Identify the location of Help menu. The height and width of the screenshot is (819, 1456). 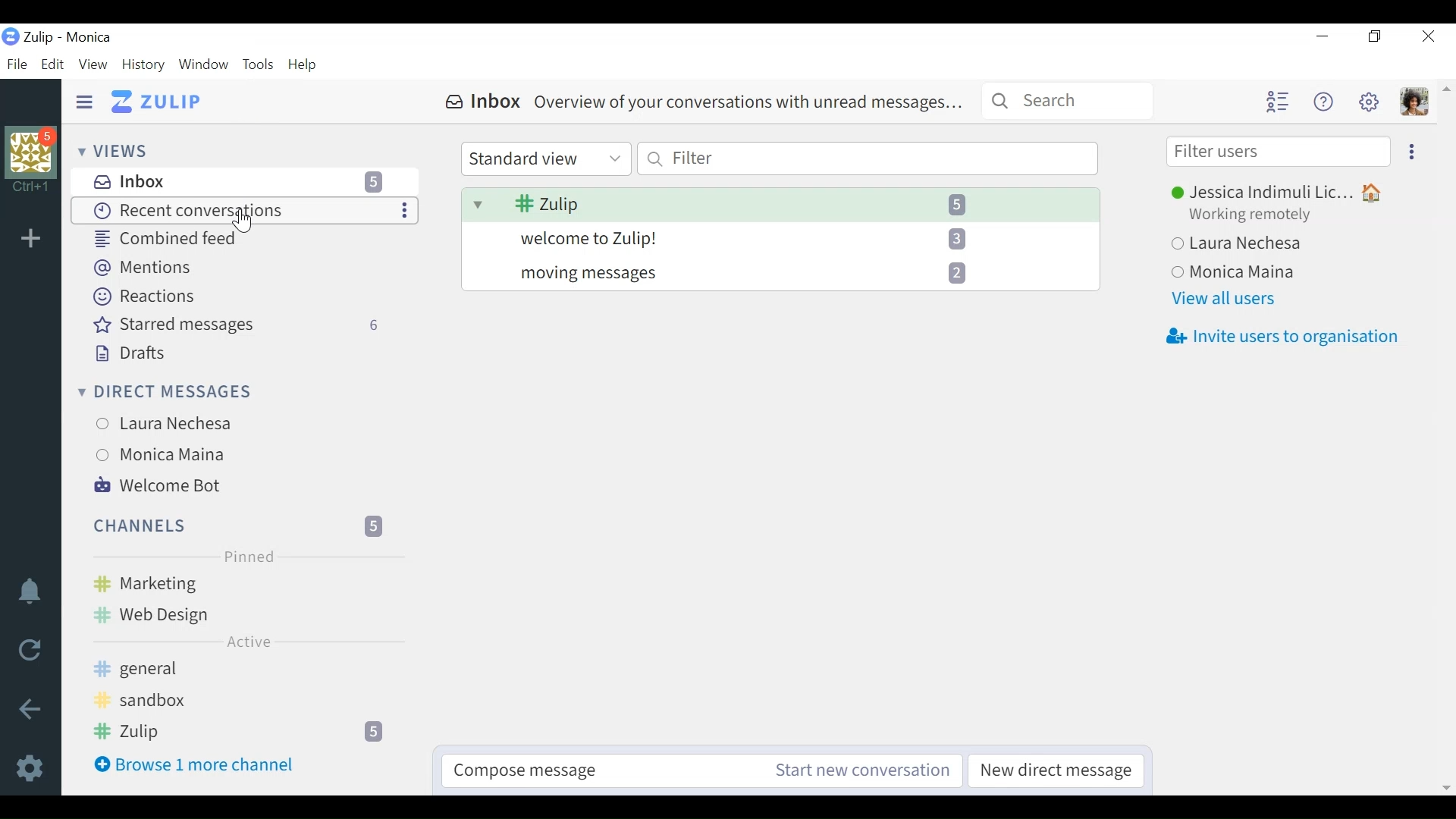
(1323, 102).